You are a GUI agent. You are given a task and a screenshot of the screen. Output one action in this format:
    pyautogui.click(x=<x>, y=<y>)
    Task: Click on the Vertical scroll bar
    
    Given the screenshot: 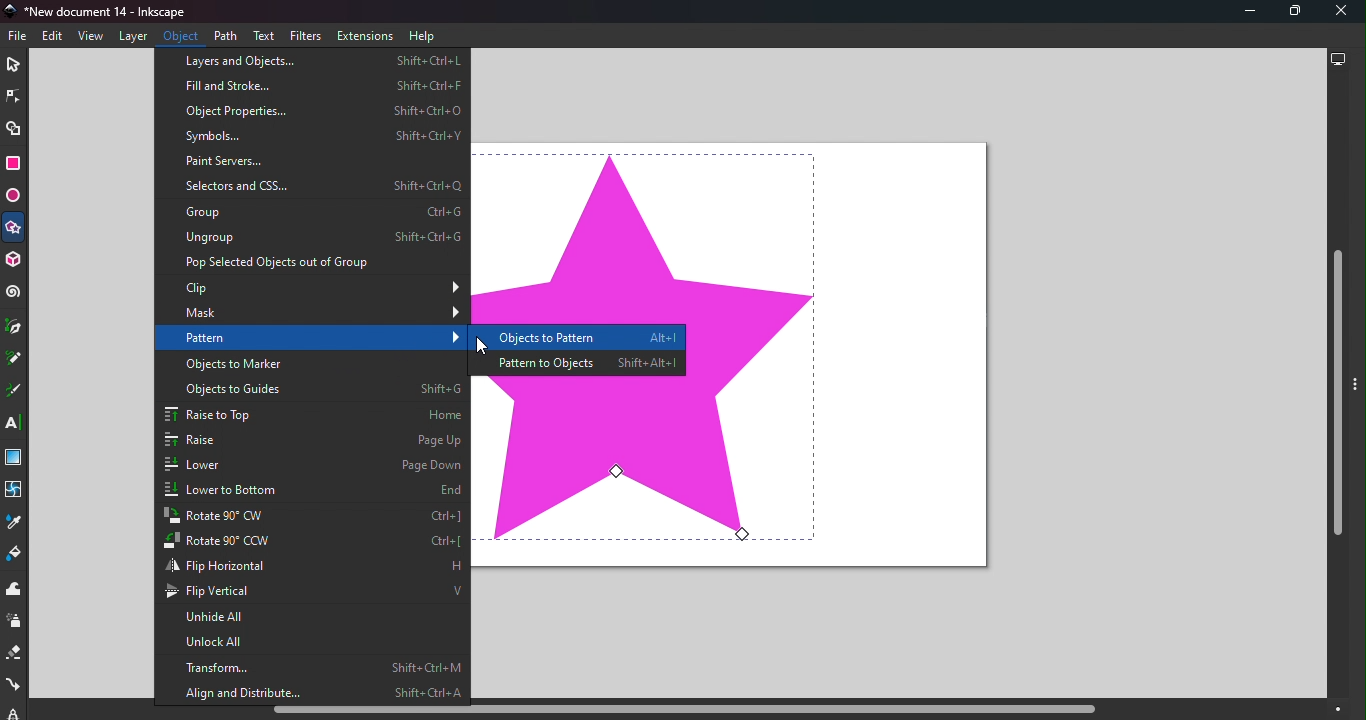 What is the action you would take?
    pyautogui.click(x=1338, y=388)
    